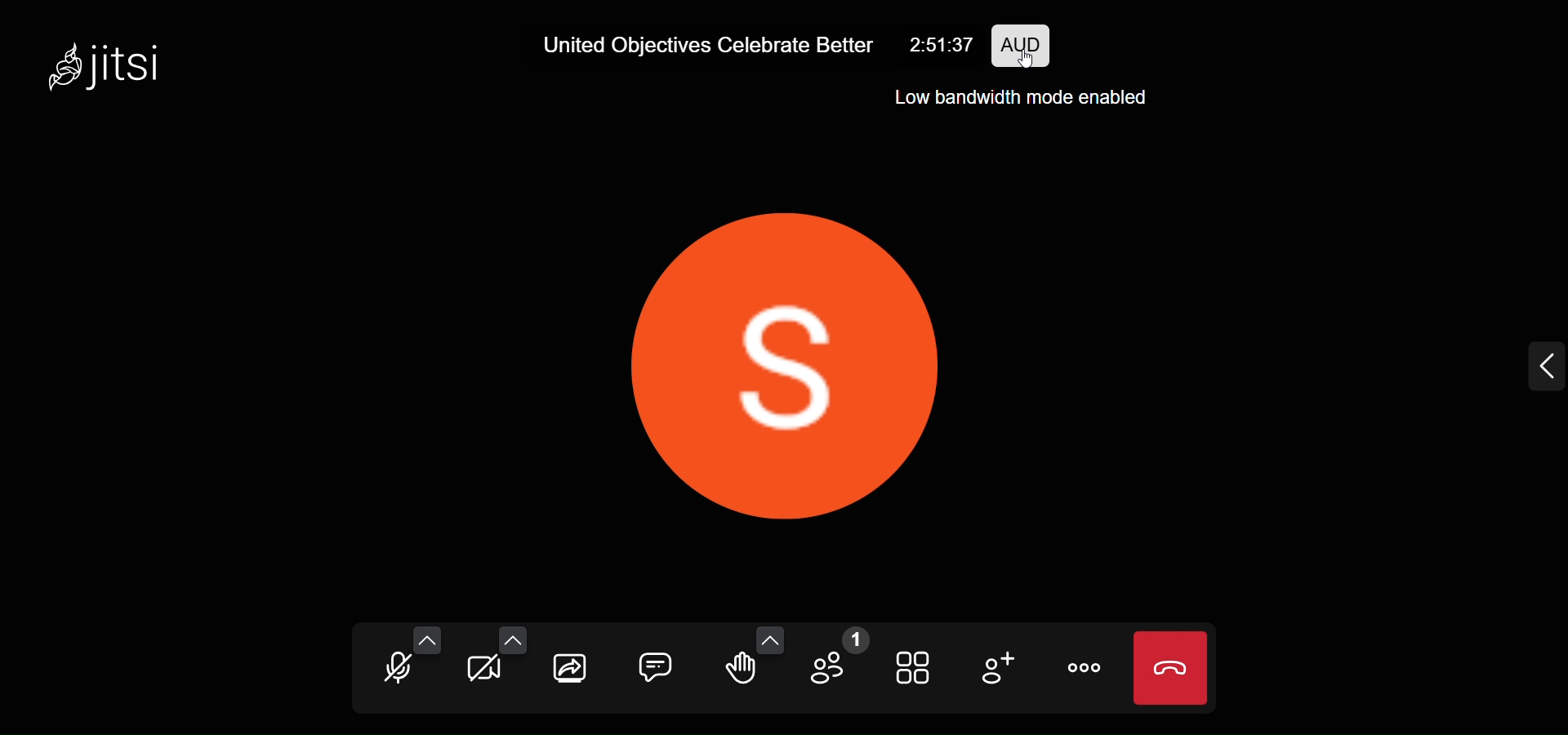 The image size is (1568, 735). What do you see at coordinates (658, 665) in the screenshot?
I see `chat` at bounding box center [658, 665].